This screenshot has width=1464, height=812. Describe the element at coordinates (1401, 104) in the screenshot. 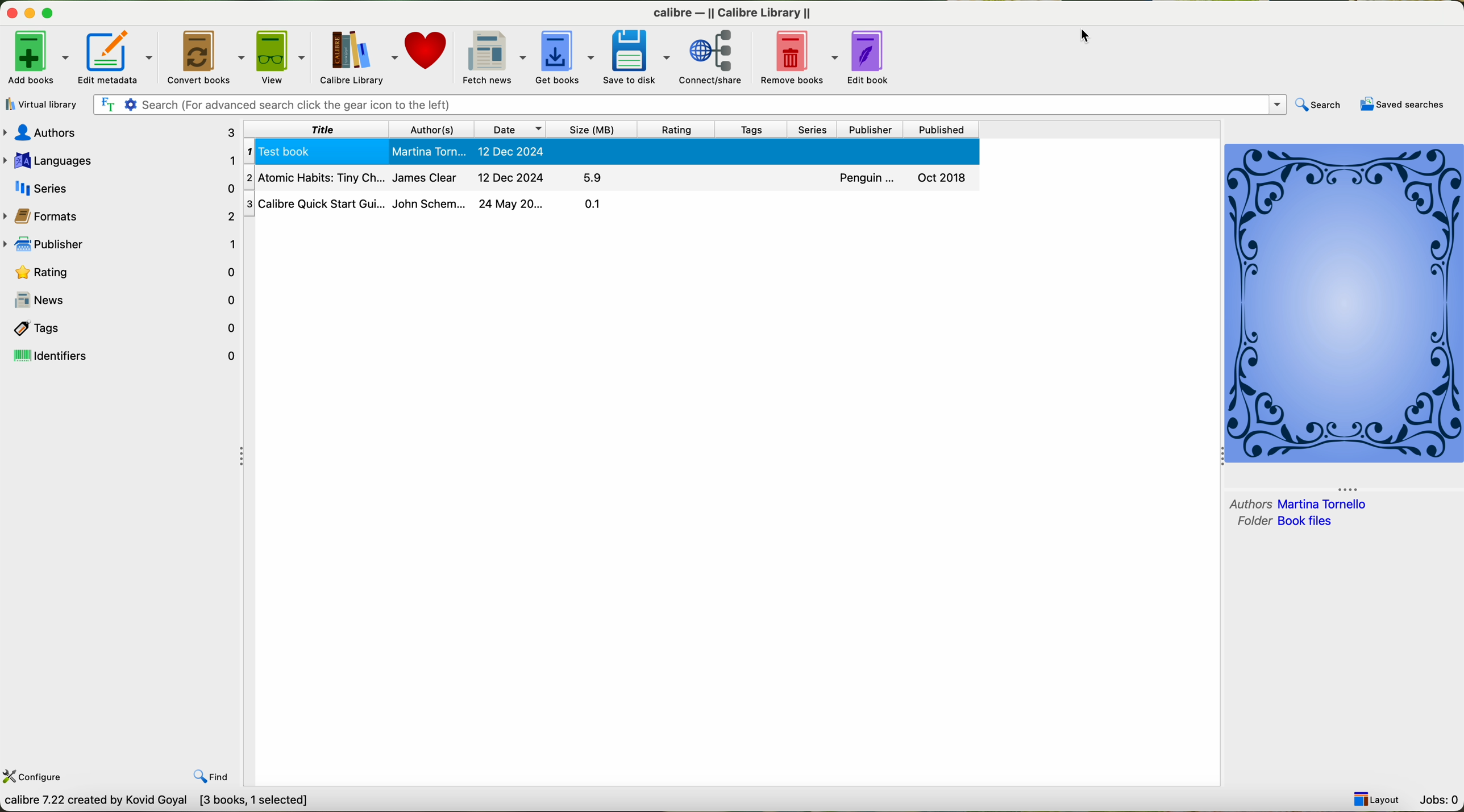

I see `saved searches` at that location.